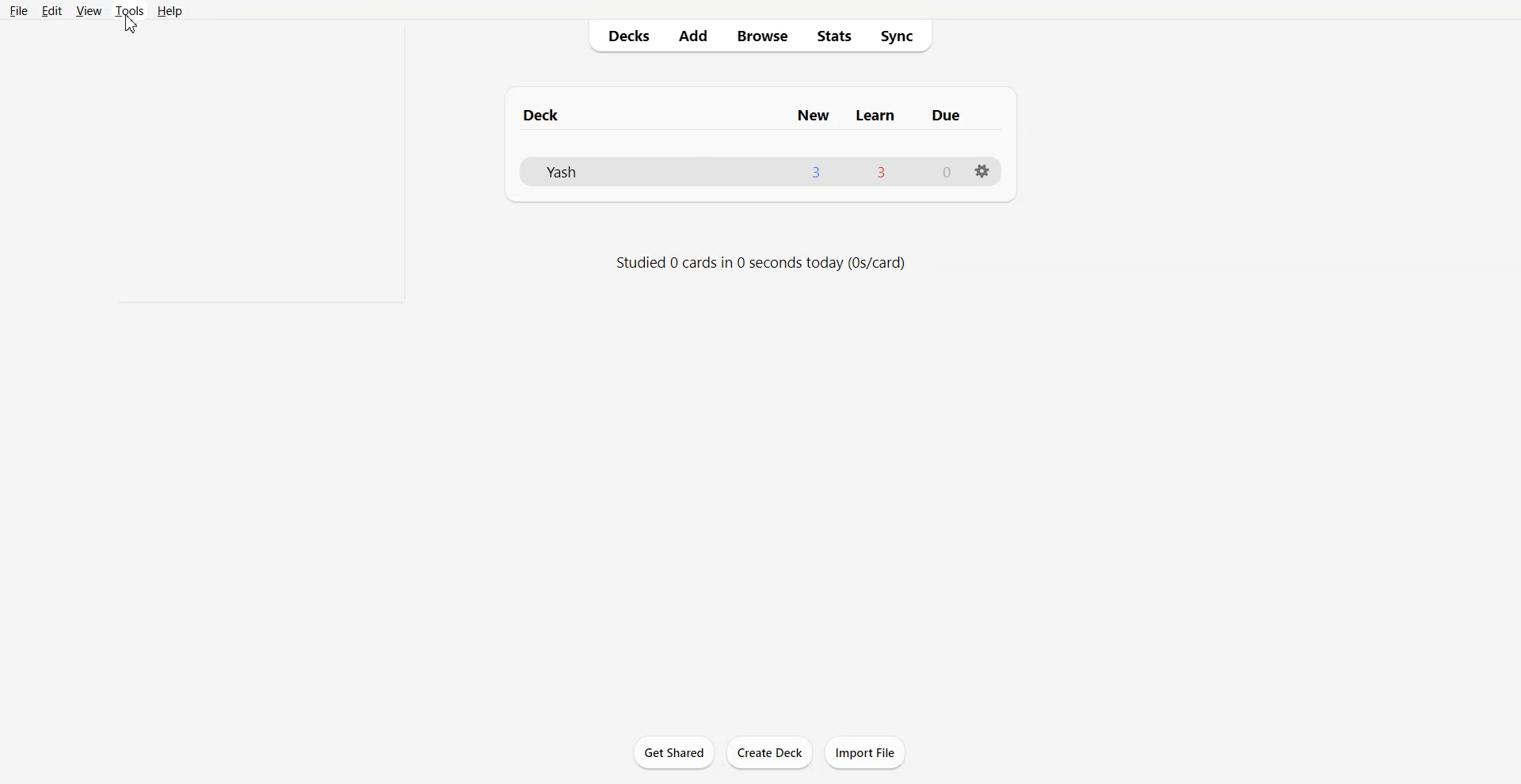 Image resolution: width=1521 pixels, height=784 pixels. What do you see at coordinates (948, 171) in the screenshot?
I see `0` at bounding box center [948, 171].